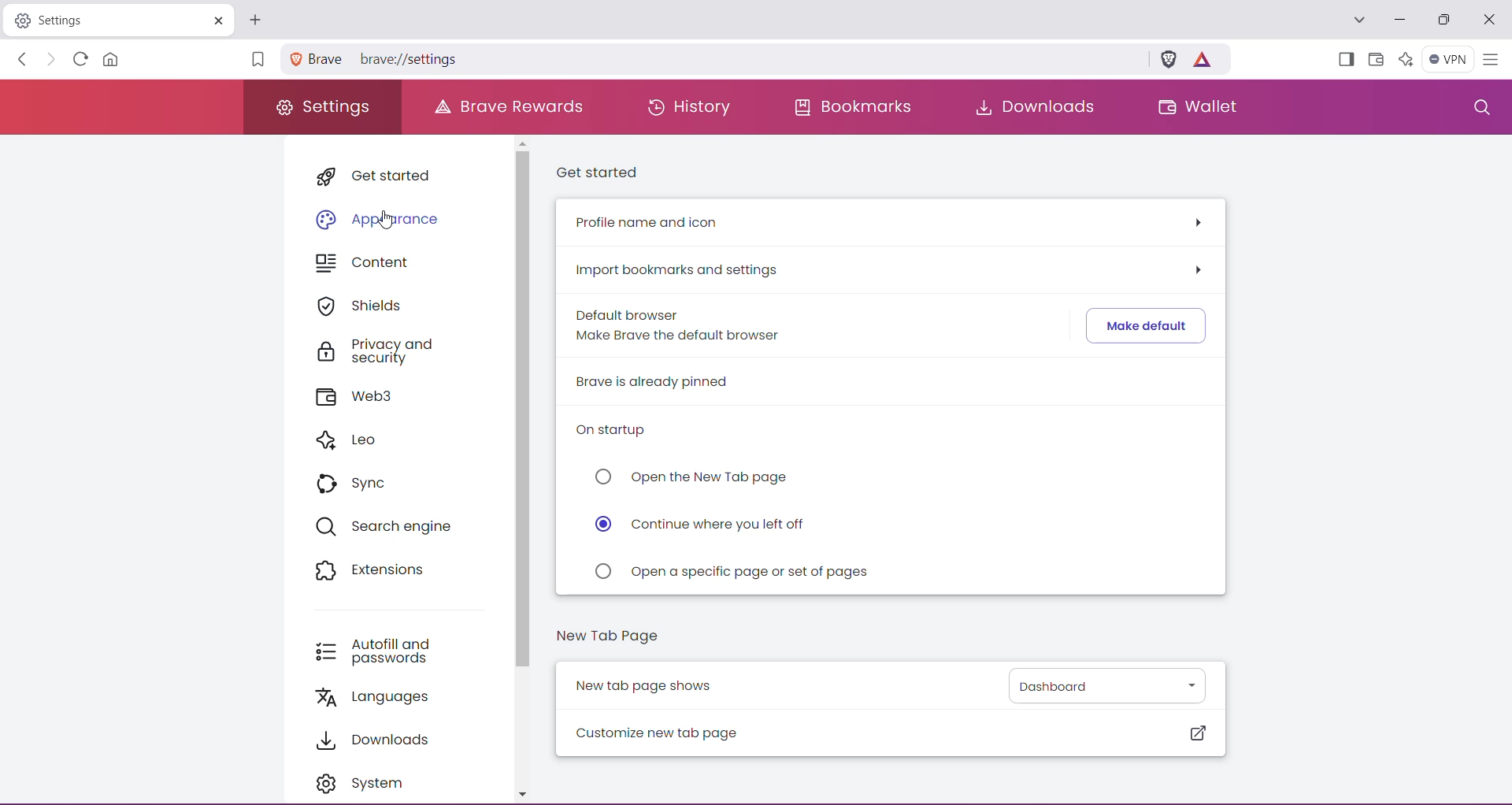  I want to click on Brave Shields, so click(1169, 57).